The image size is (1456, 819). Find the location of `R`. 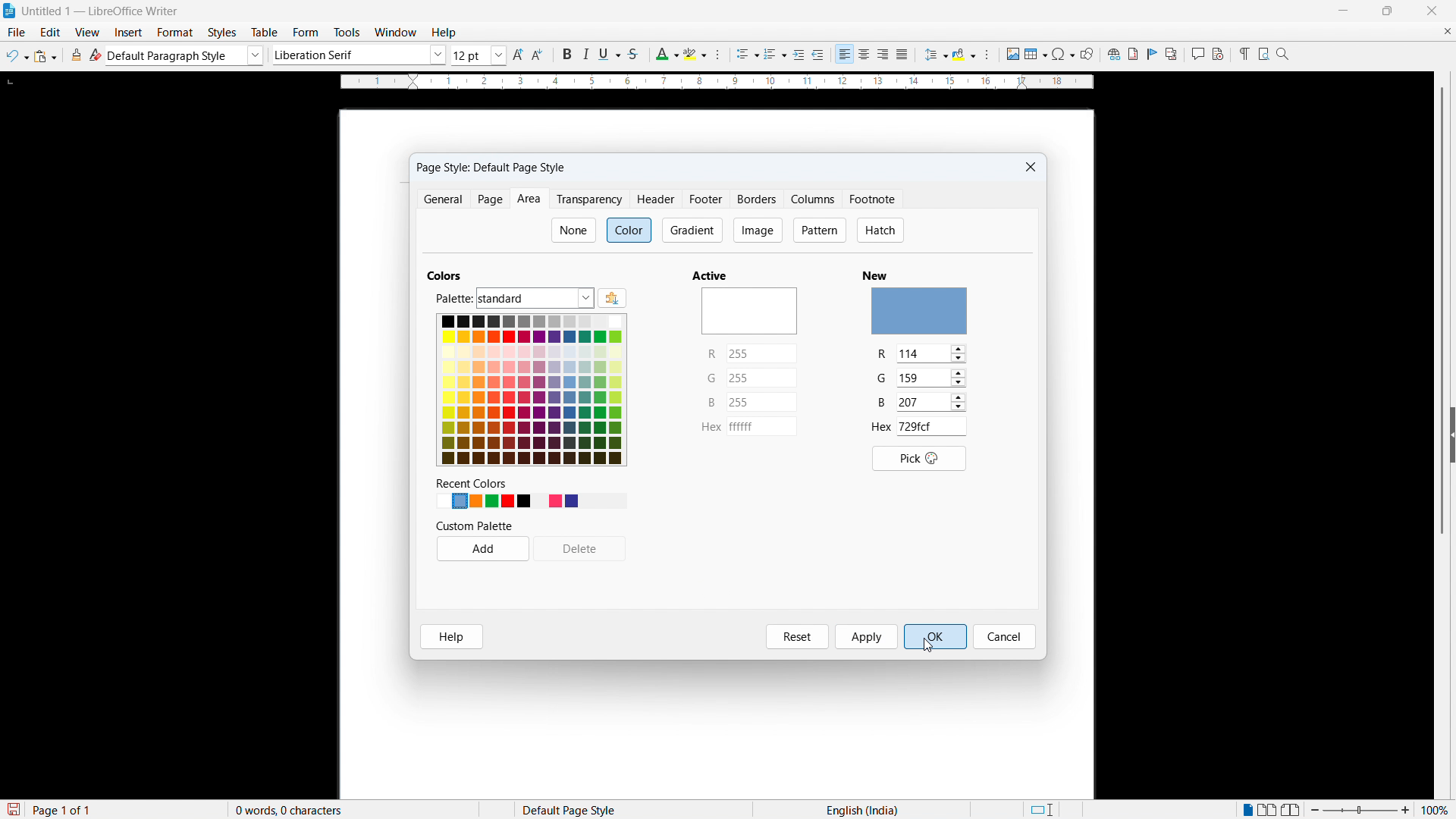

R is located at coordinates (880, 354).